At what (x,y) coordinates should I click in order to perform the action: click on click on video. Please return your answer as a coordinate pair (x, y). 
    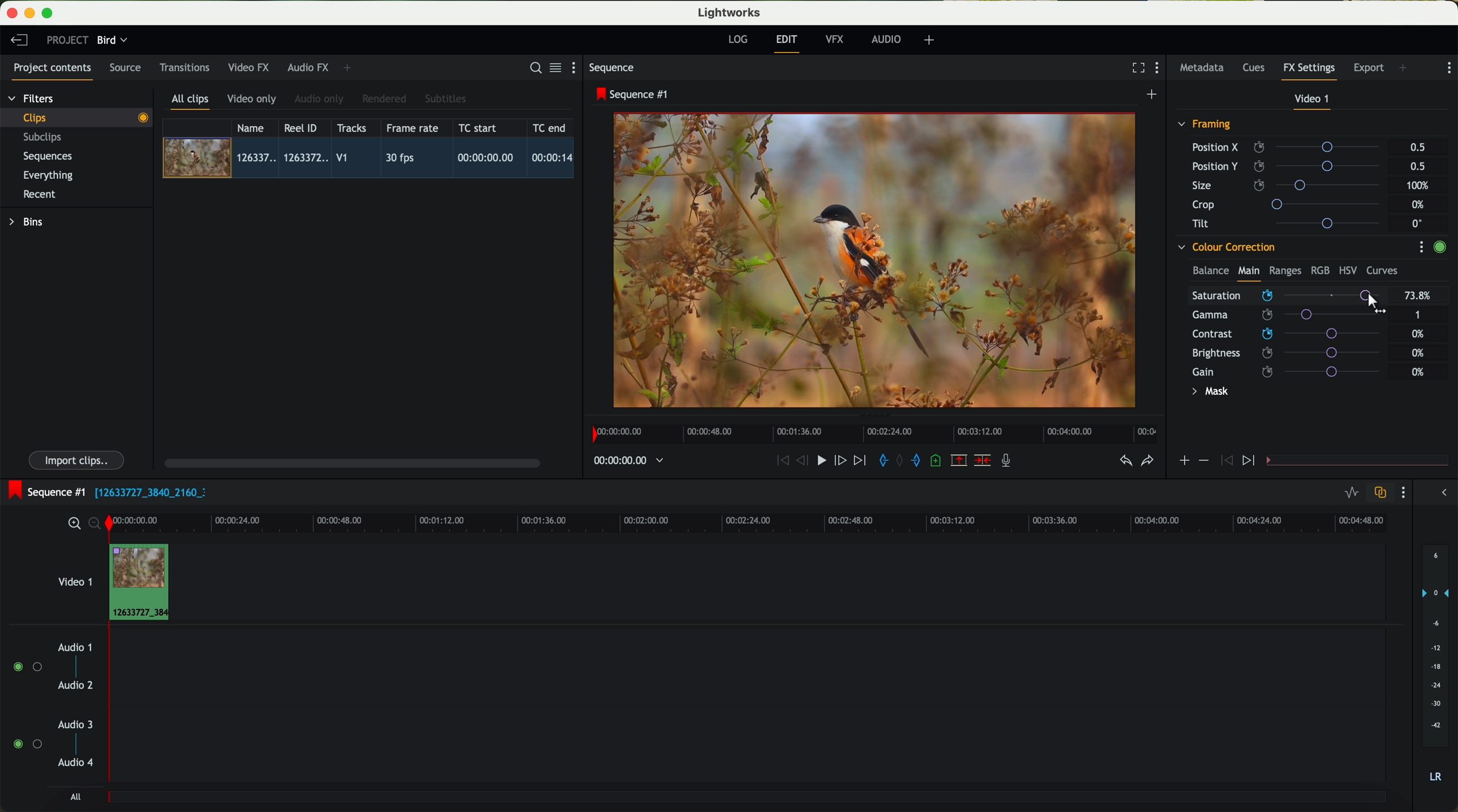
    Looking at the image, I should click on (372, 160).